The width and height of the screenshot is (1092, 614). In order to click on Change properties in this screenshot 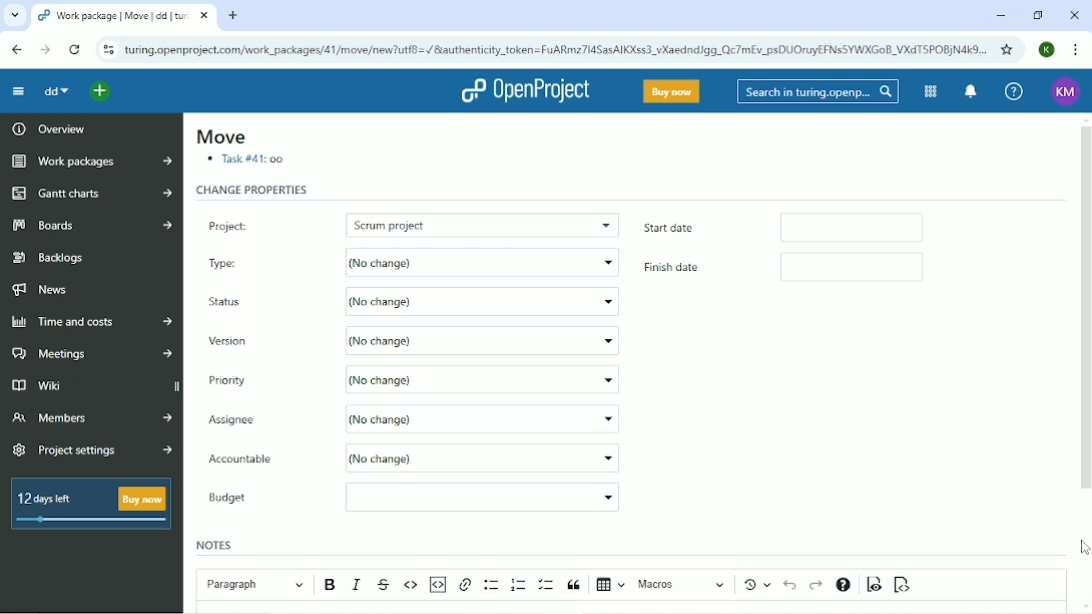, I will do `click(253, 190)`.